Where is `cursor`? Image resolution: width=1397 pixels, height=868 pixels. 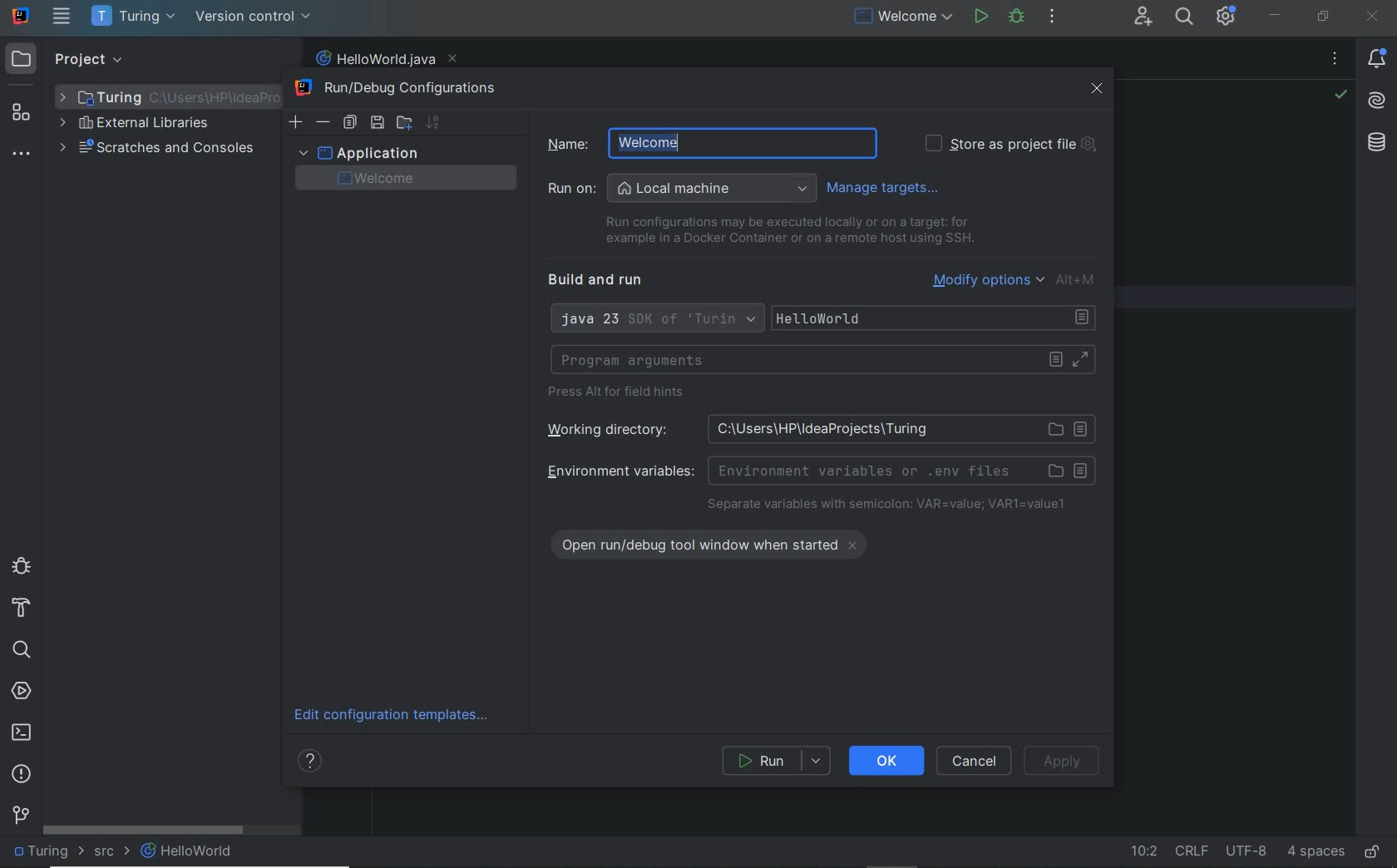 cursor is located at coordinates (683, 143).